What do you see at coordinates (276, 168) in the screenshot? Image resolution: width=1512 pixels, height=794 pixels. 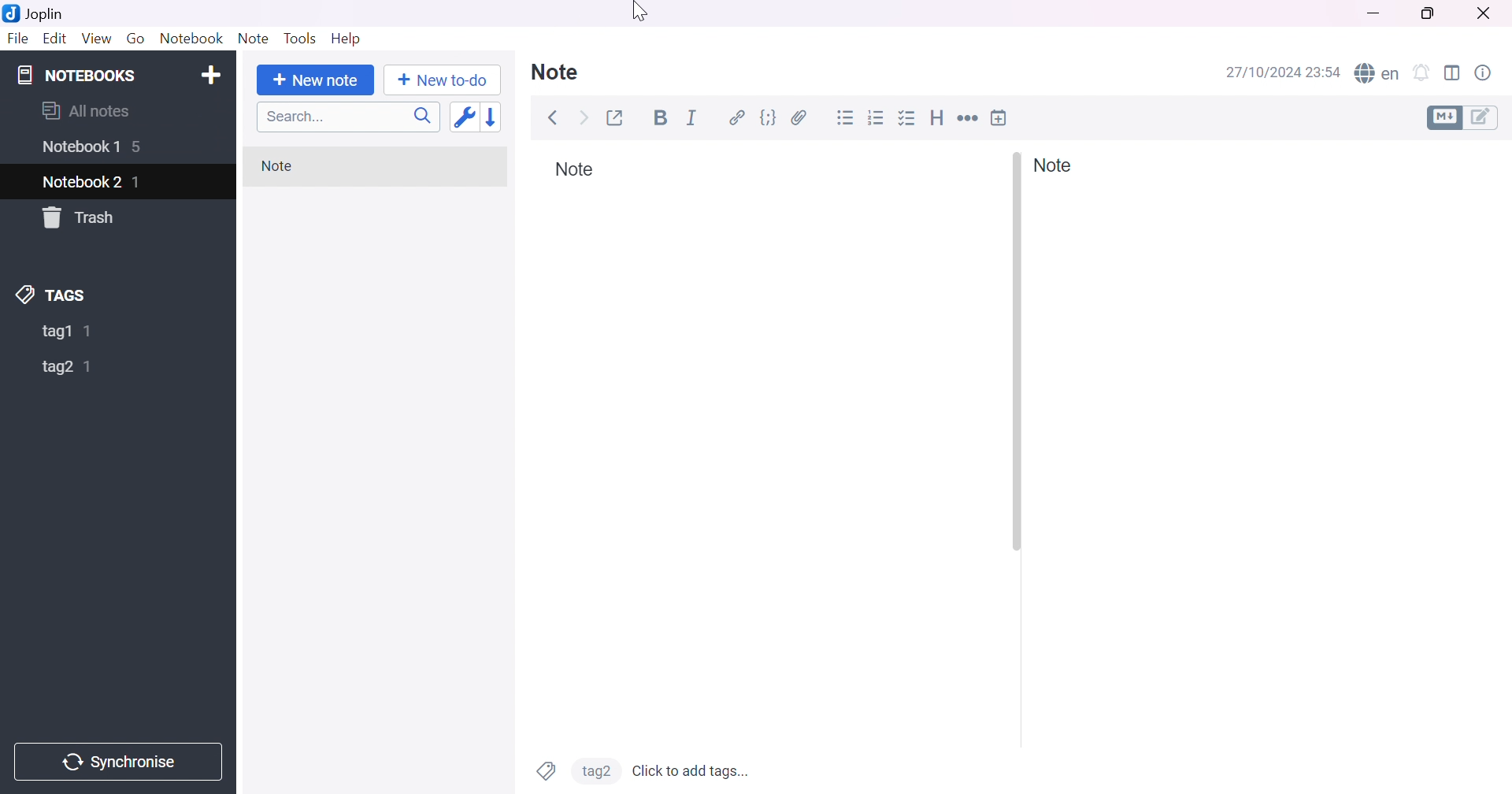 I see `Note` at bounding box center [276, 168].